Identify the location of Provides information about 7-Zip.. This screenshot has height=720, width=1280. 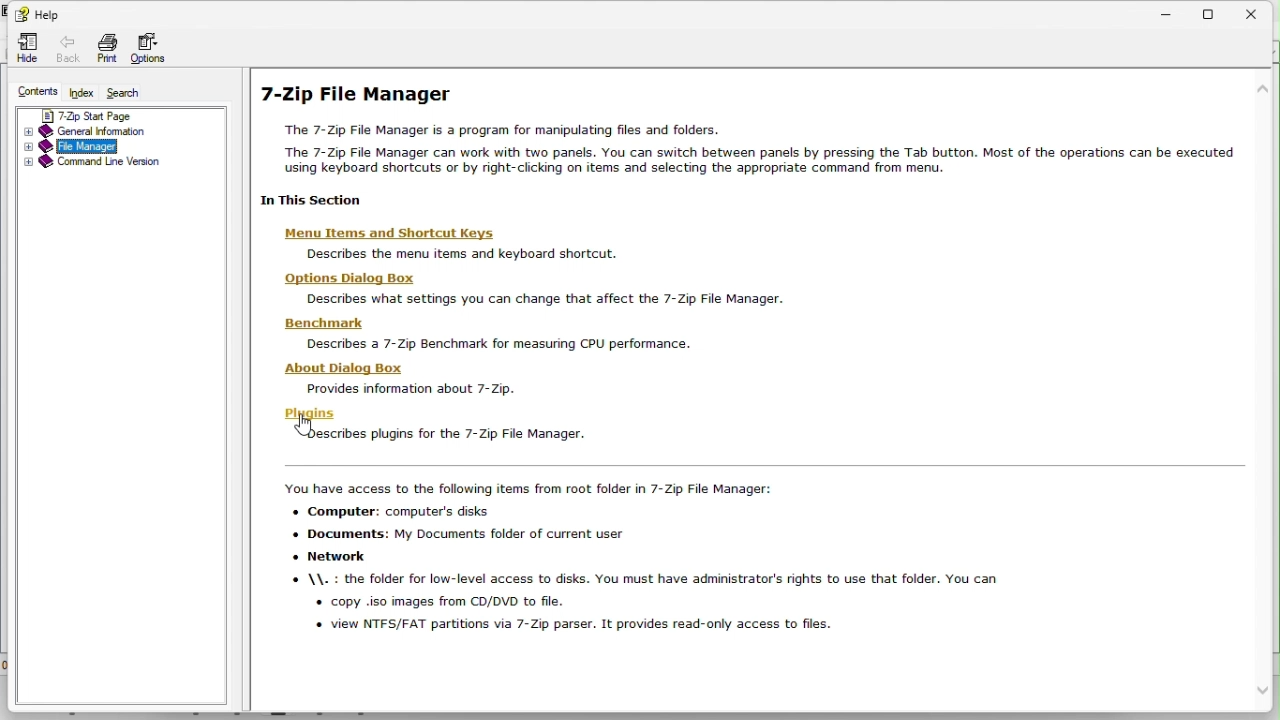
(415, 389).